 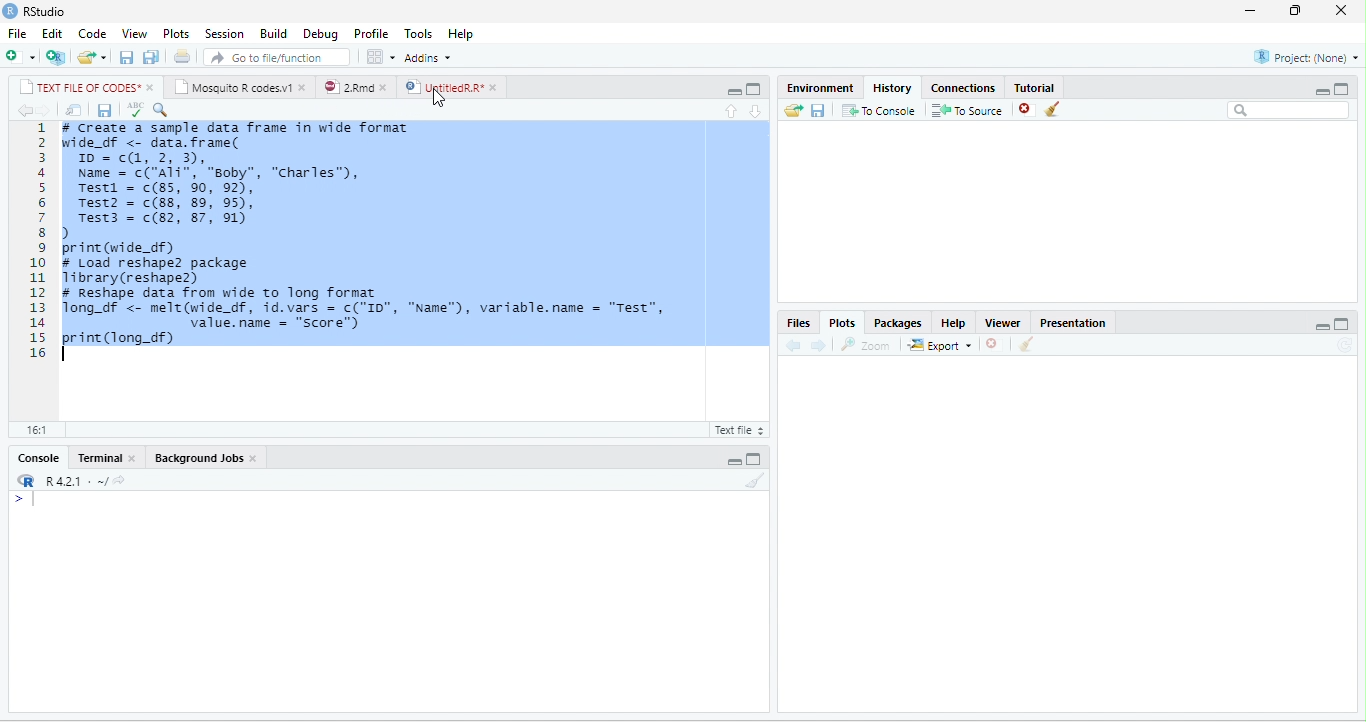 I want to click on Plots, so click(x=843, y=323).